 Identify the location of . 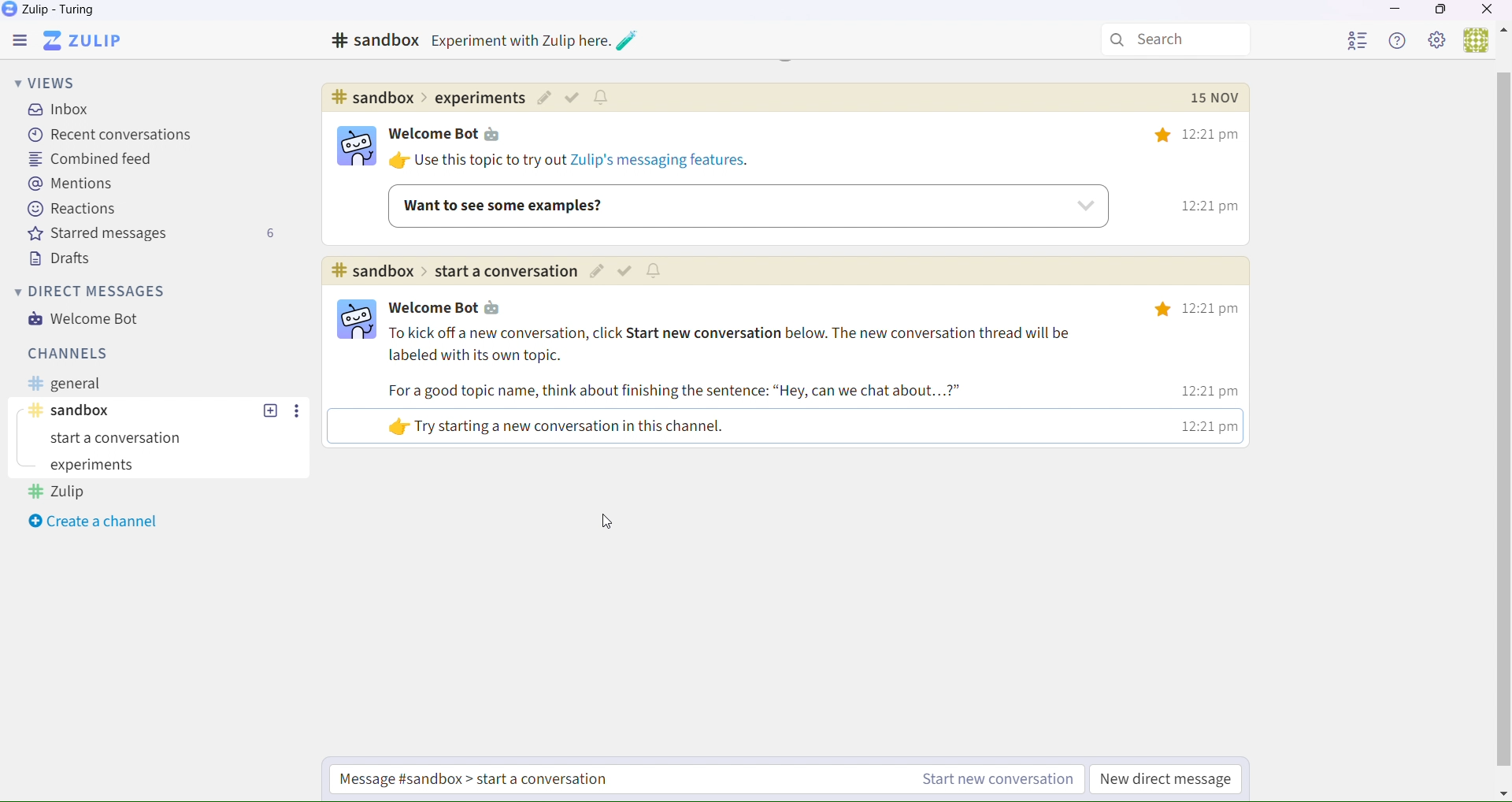
(573, 98).